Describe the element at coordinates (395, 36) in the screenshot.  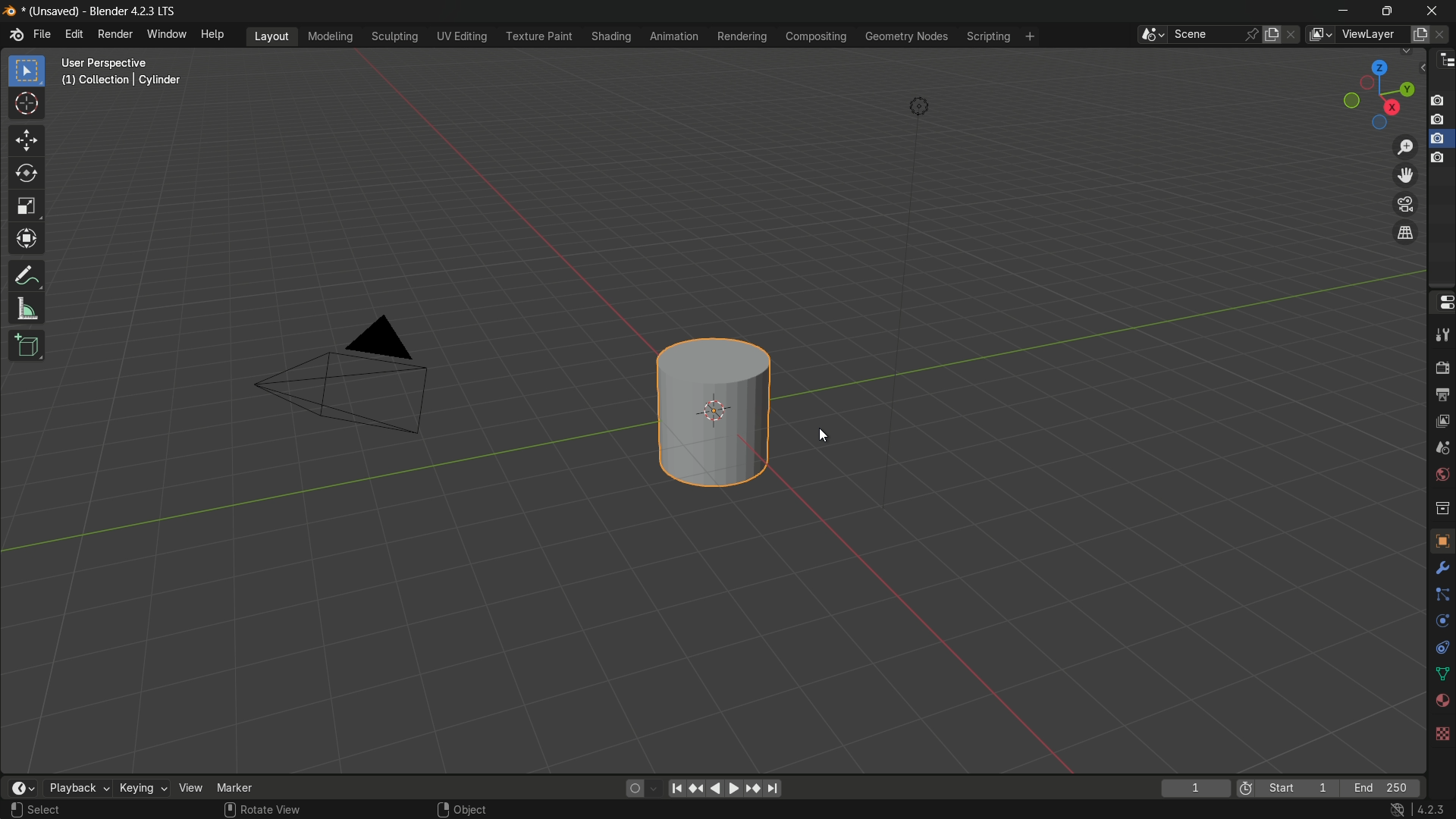
I see `sculpting` at that location.